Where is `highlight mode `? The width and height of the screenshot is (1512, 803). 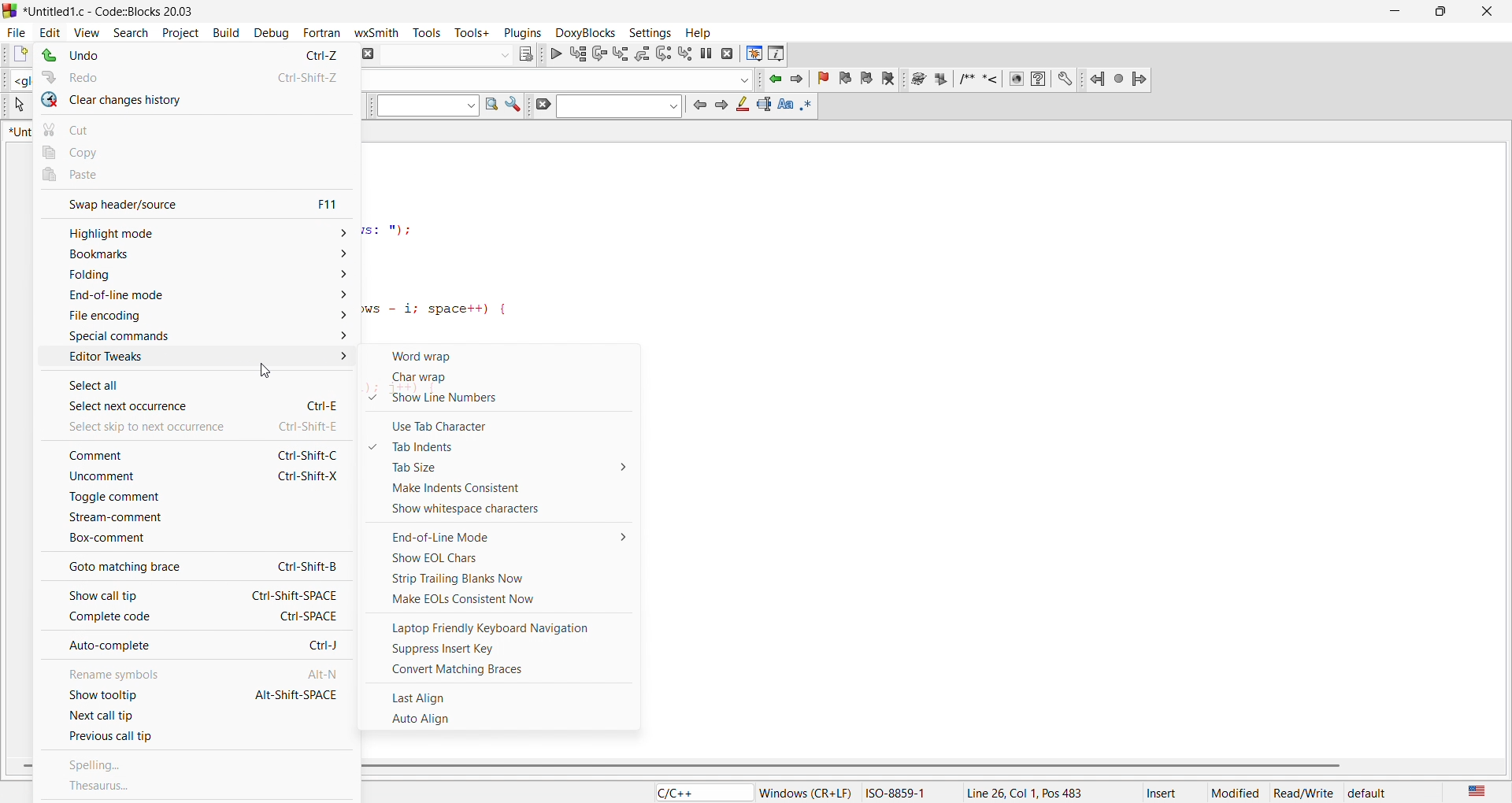
highlight mode  is located at coordinates (194, 233).